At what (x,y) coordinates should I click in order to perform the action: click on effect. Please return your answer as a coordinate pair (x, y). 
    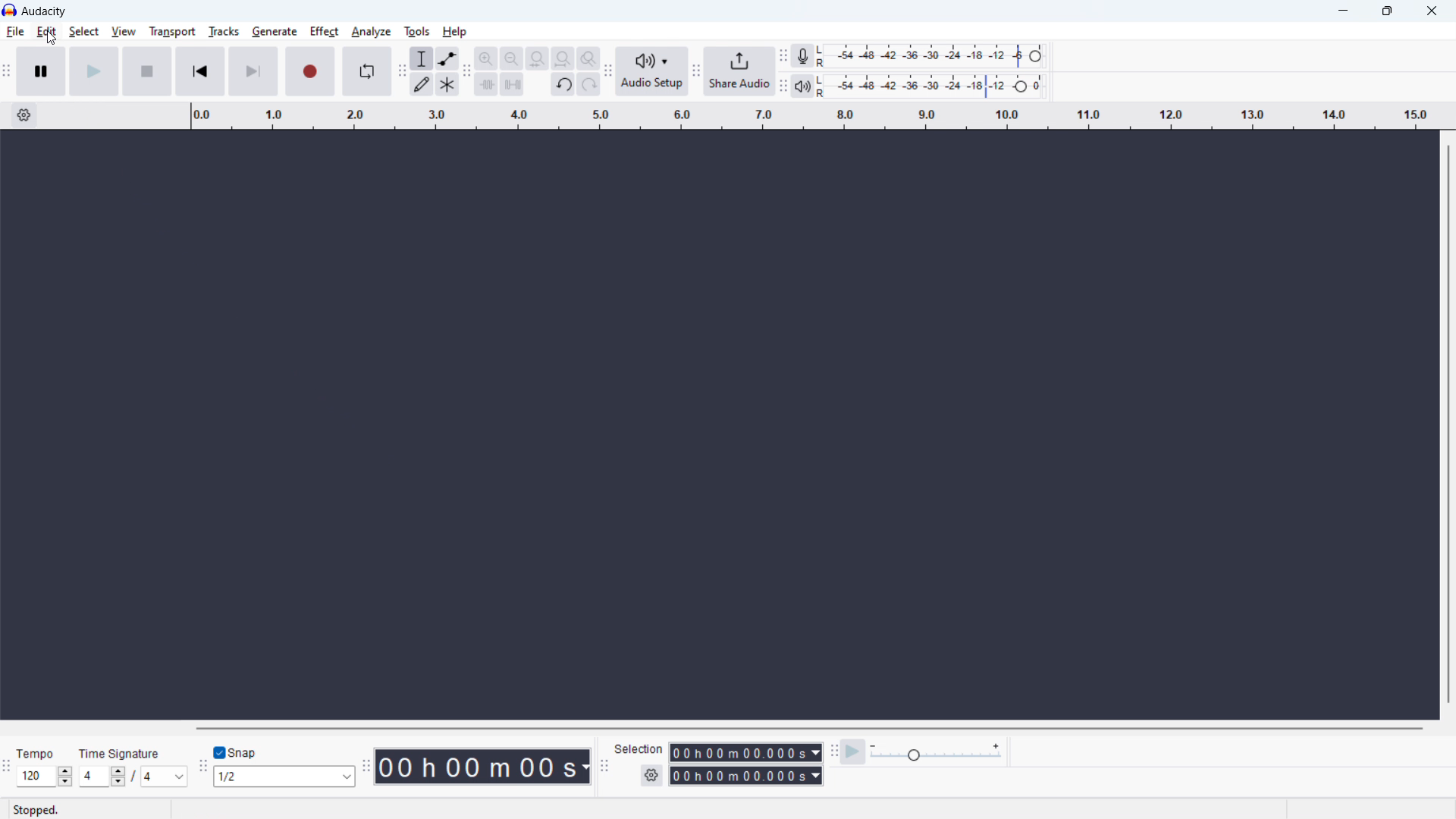
    Looking at the image, I should click on (325, 32).